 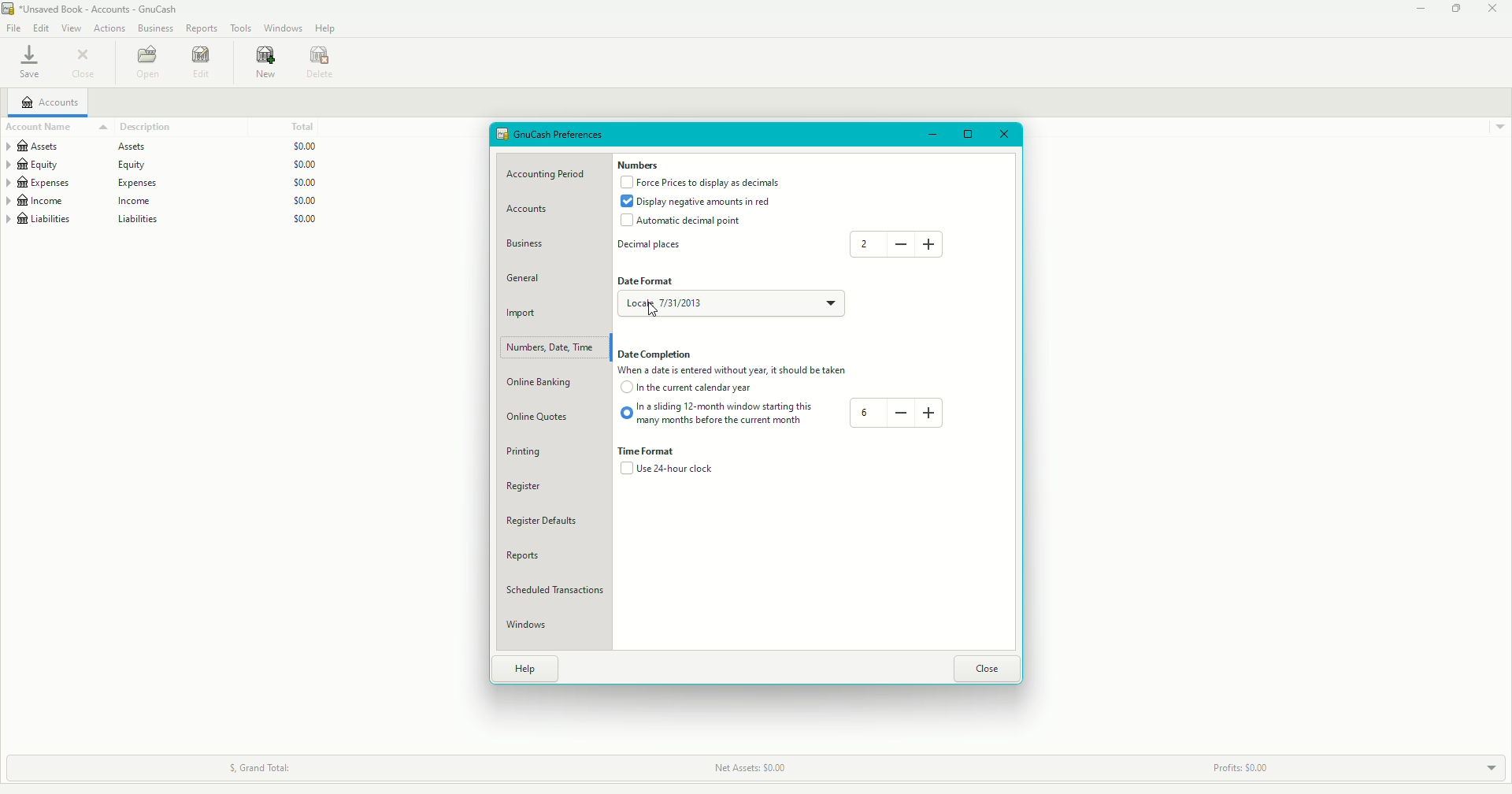 I want to click on Income, so click(x=162, y=202).